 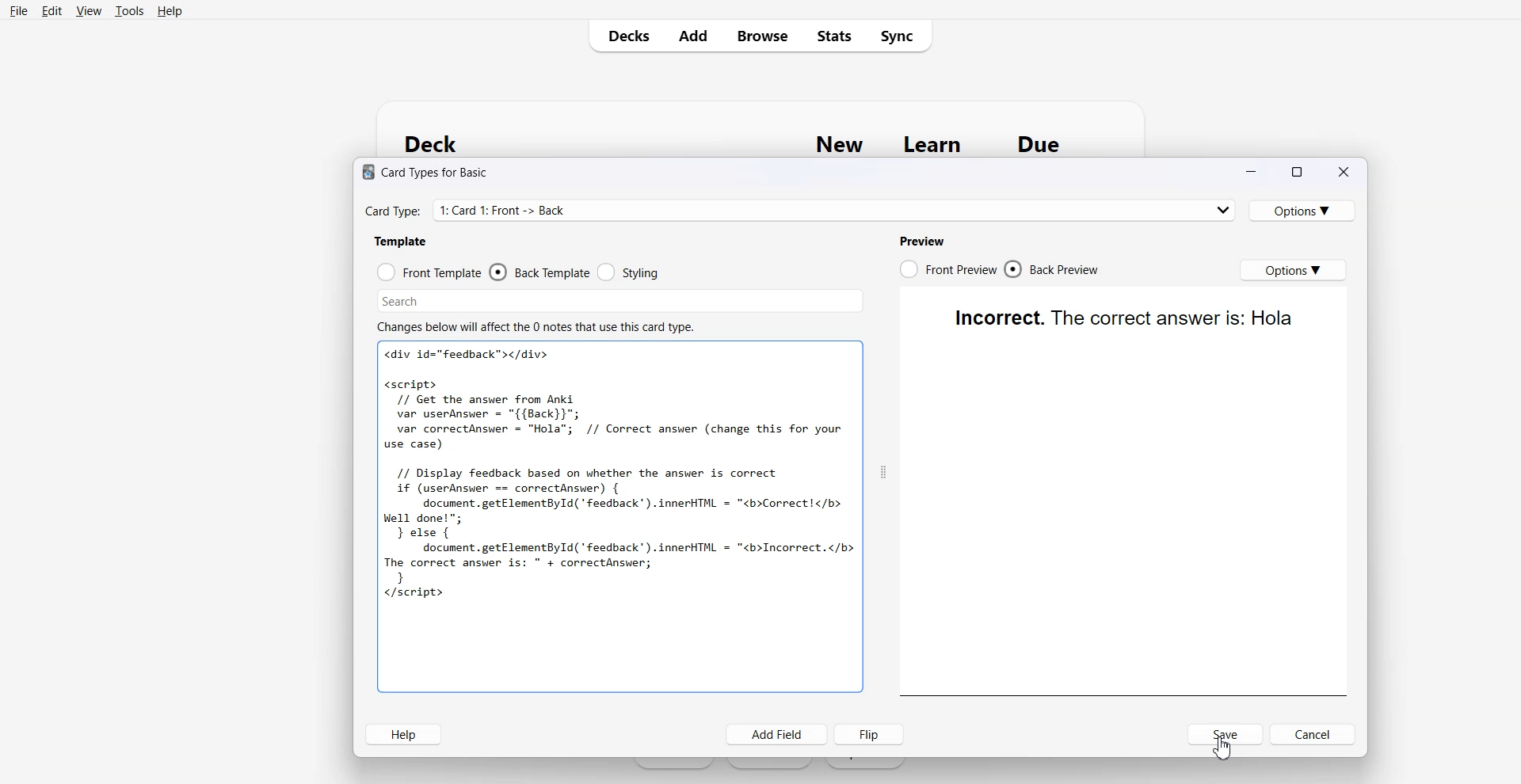 I want to click on Add field, so click(x=776, y=734).